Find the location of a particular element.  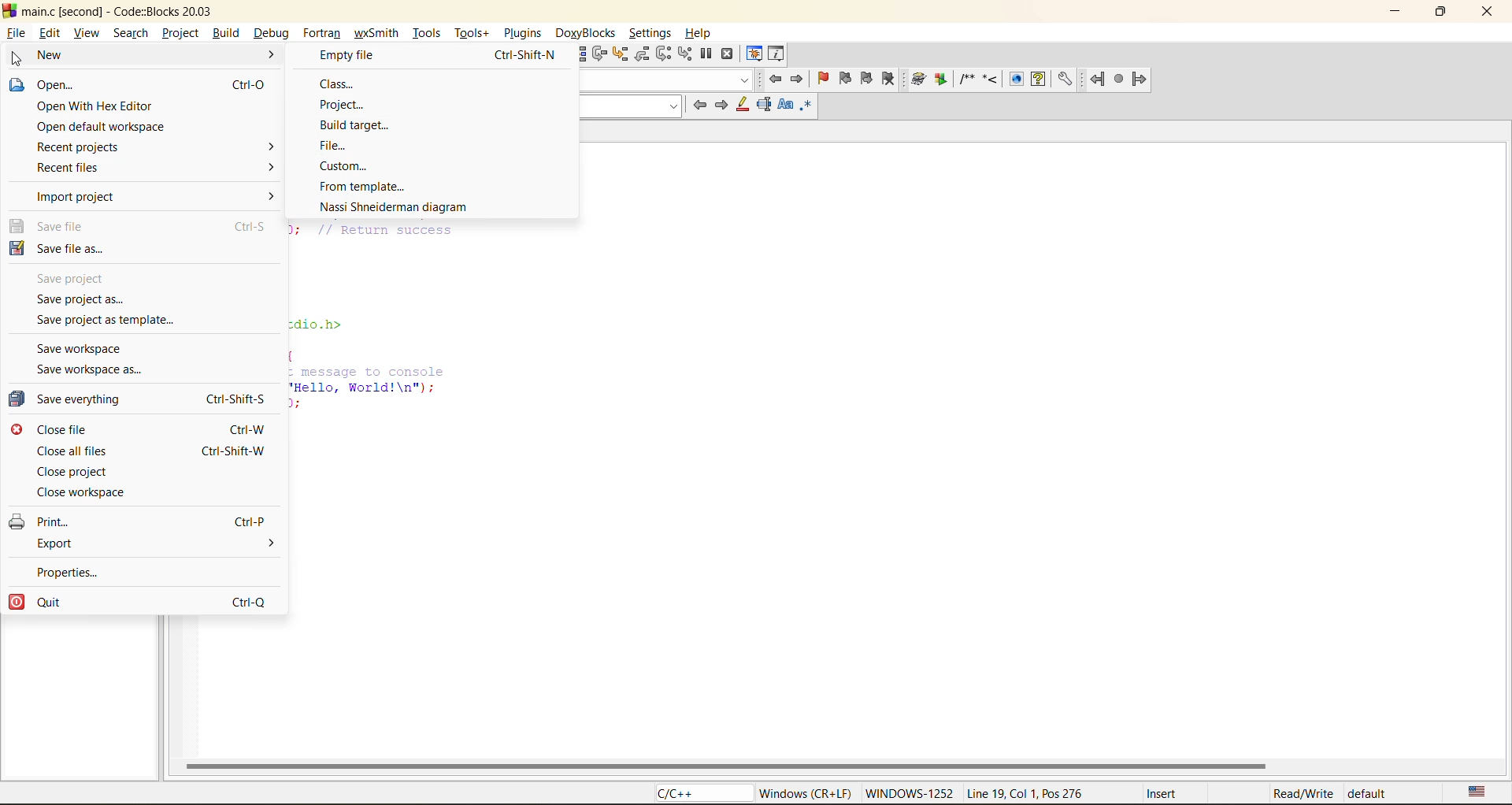

J; // Return success is located at coordinates (378, 228).